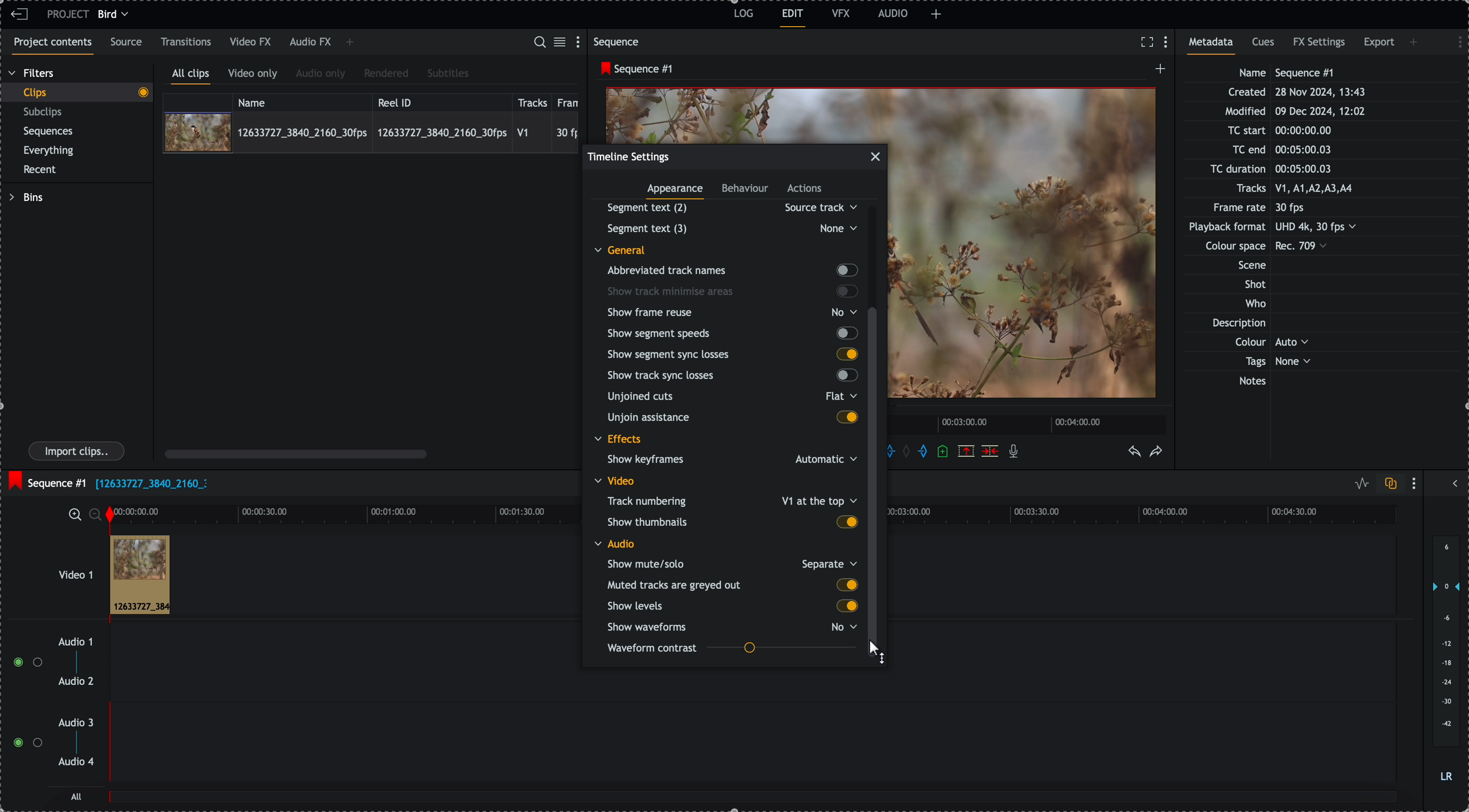 The height and width of the screenshot is (812, 1469). Describe the element at coordinates (533, 101) in the screenshot. I see `tracks` at that location.